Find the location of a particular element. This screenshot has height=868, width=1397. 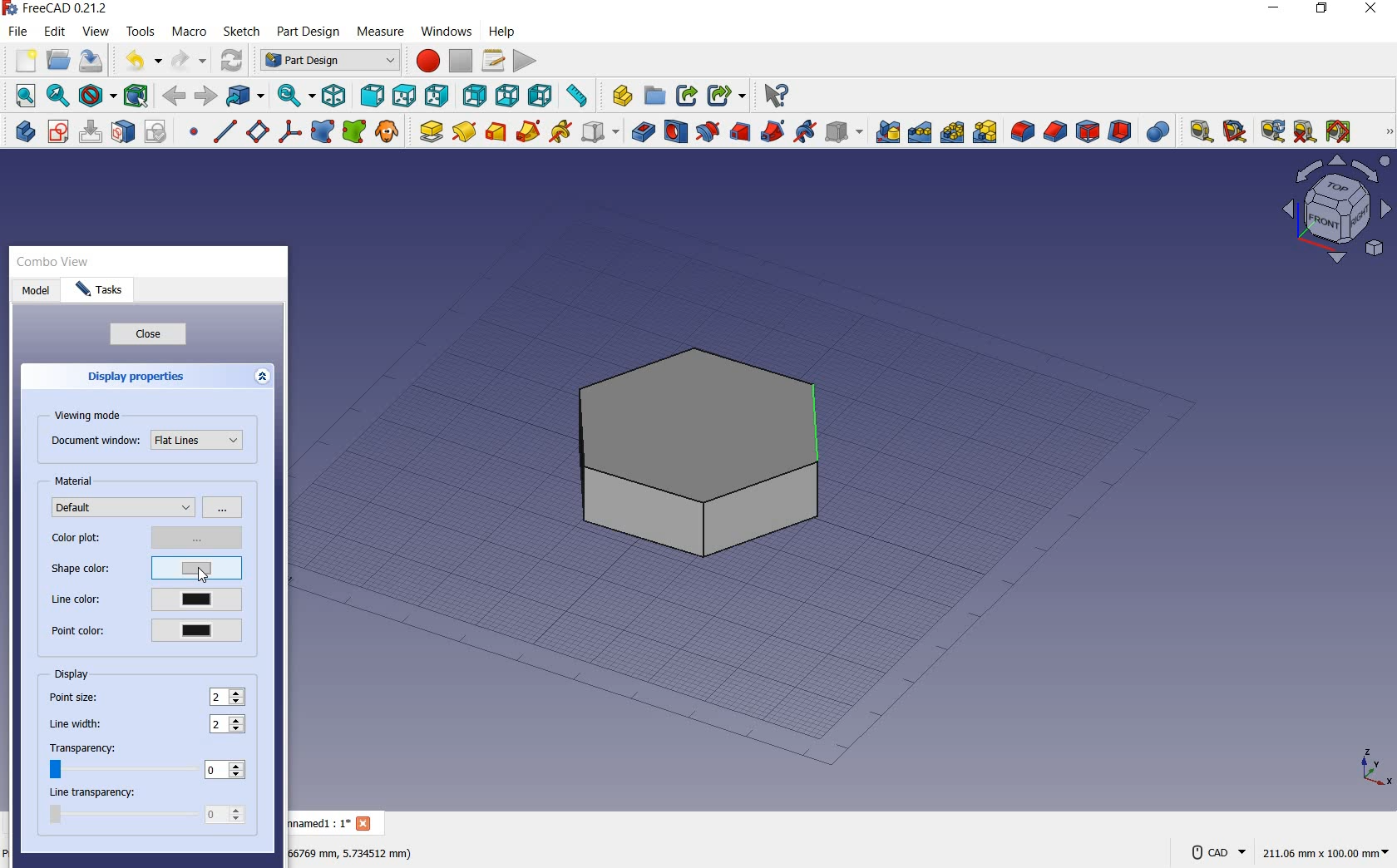

current point color is located at coordinates (197, 629).